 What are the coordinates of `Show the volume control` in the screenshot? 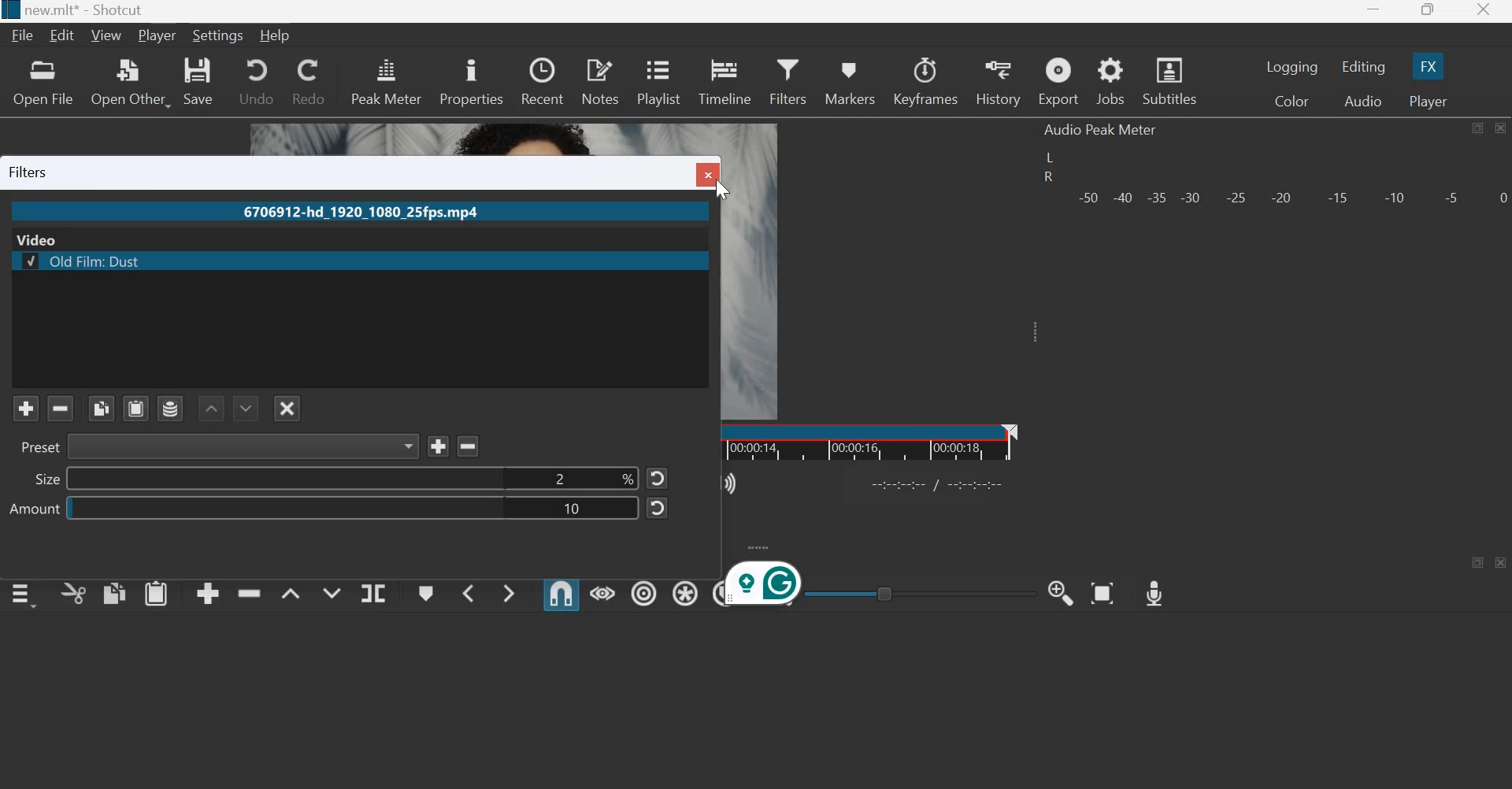 It's located at (732, 481).